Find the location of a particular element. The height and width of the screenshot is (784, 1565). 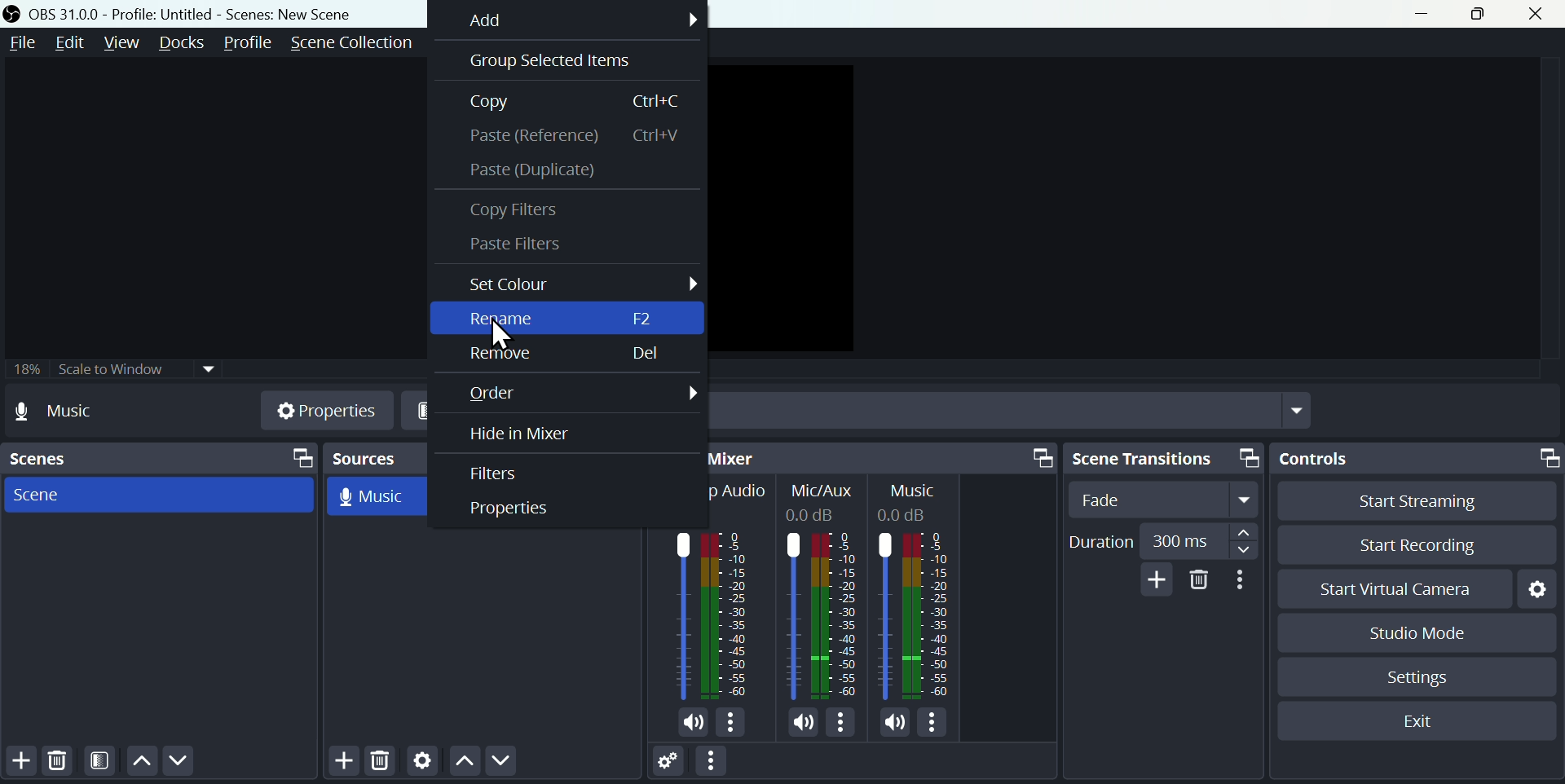

Scene is located at coordinates (46, 496).